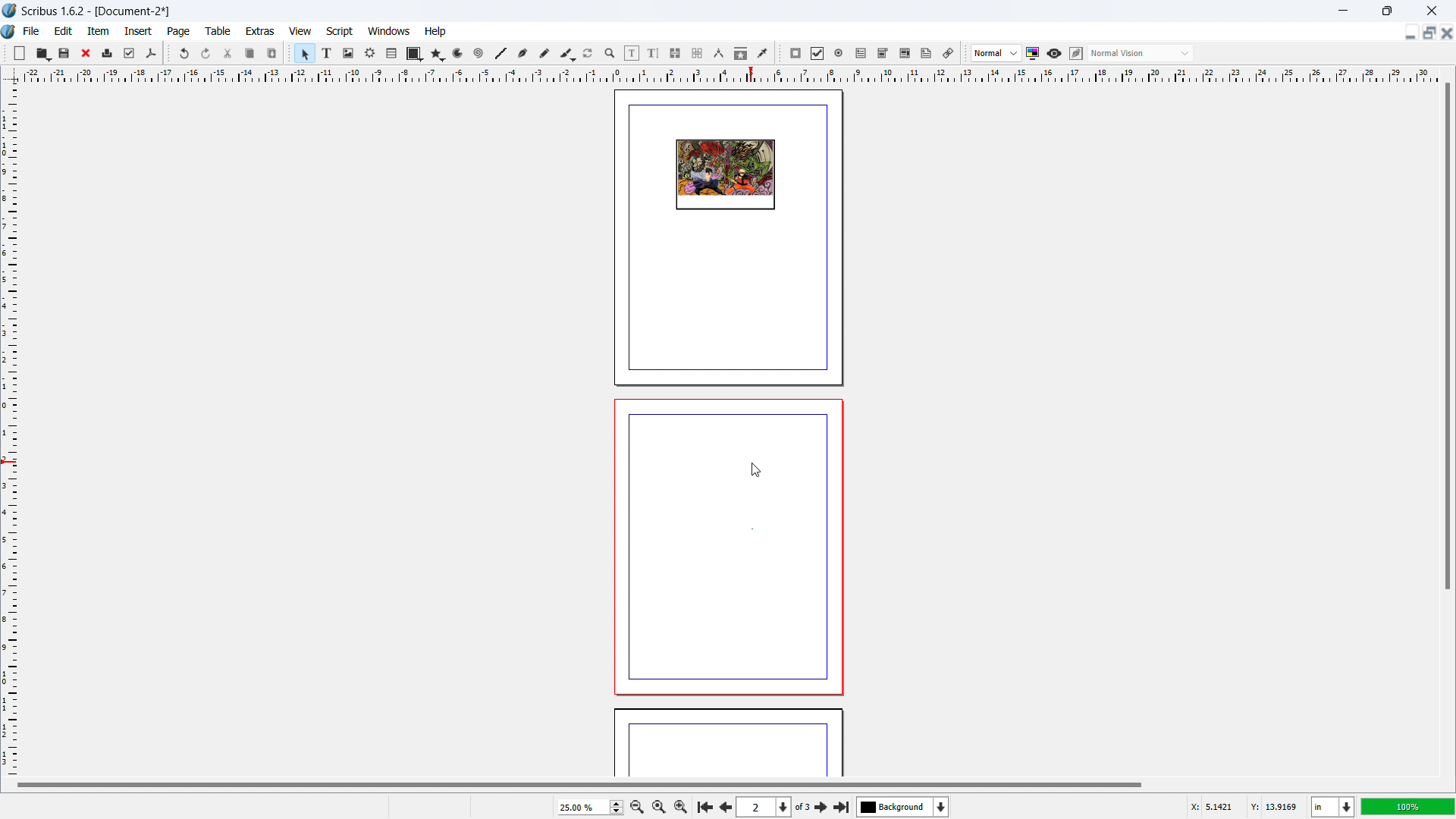 Image resolution: width=1456 pixels, height=819 pixels. Describe the element at coordinates (438, 54) in the screenshot. I see `polygon` at that location.